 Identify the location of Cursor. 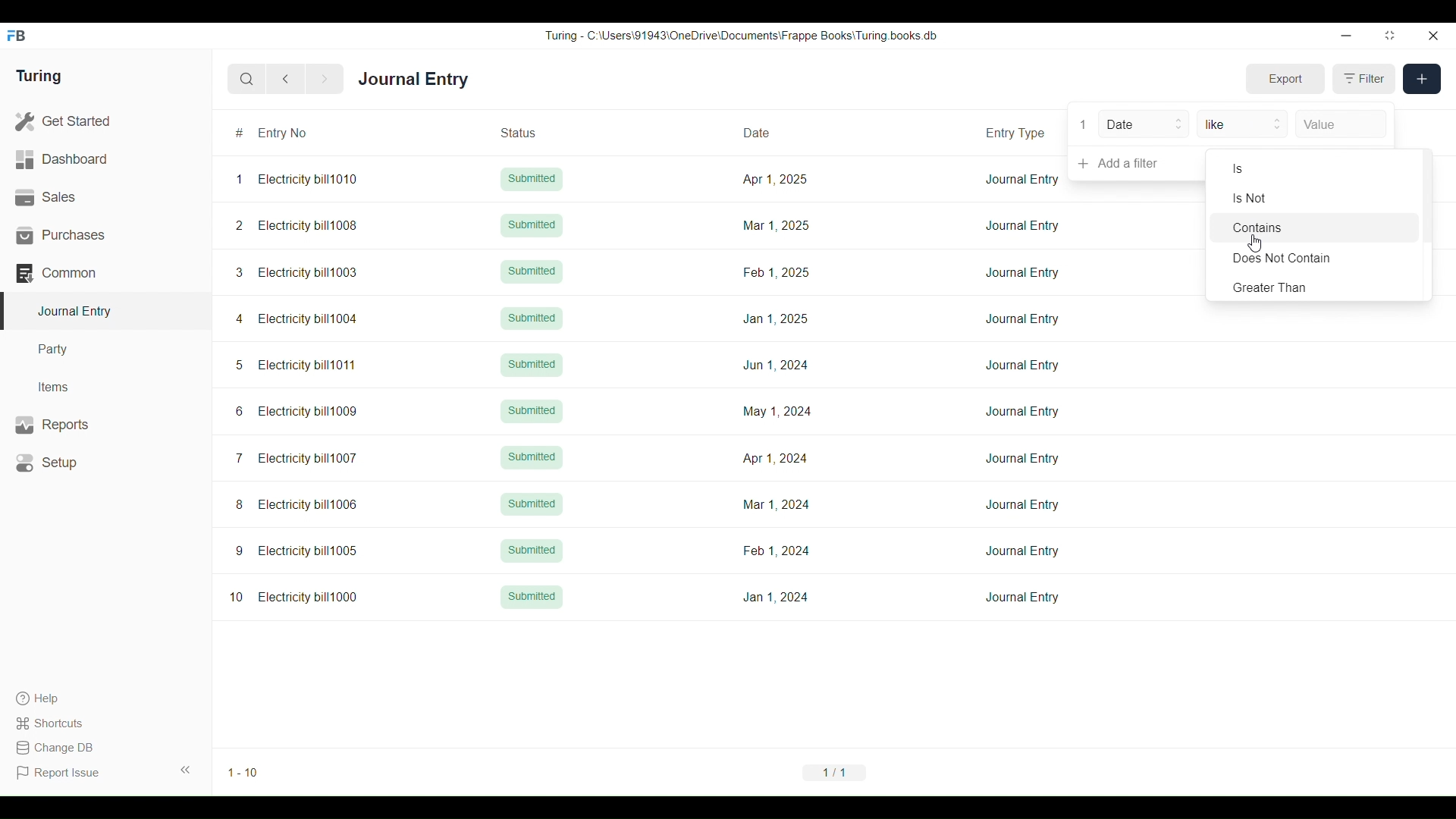
(1255, 243).